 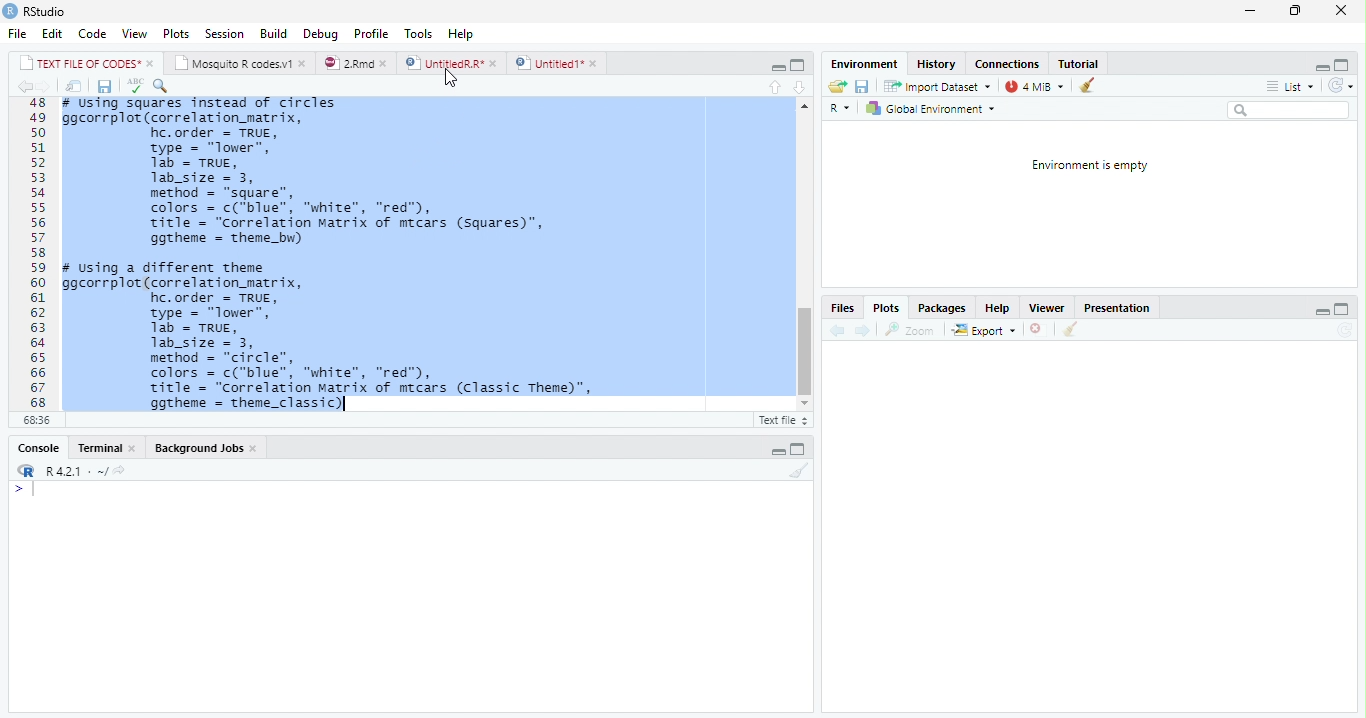 I want to click on go forward, so click(x=863, y=332).